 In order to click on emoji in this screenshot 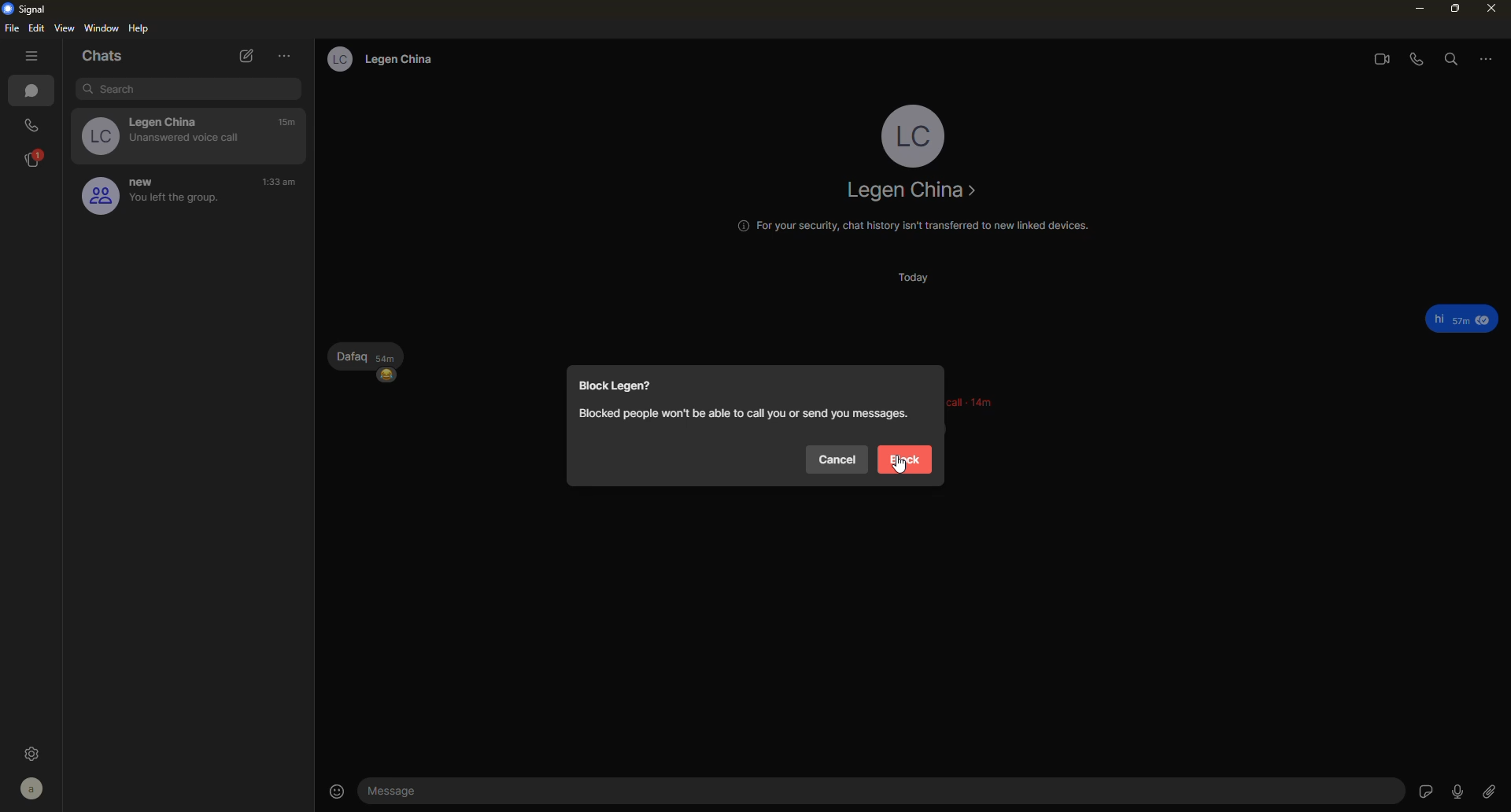, I will do `click(388, 379)`.